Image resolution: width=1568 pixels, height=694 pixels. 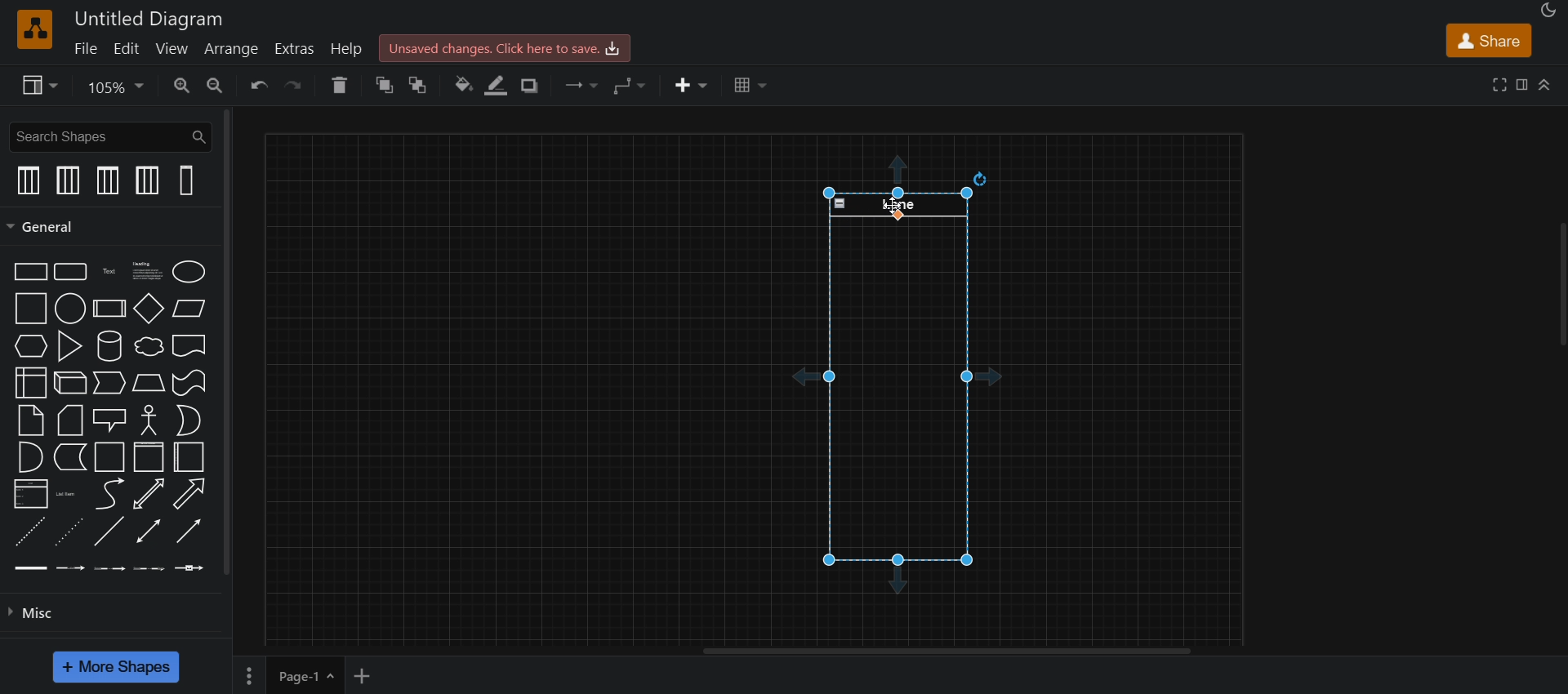 I want to click on add new page, so click(x=373, y=674).